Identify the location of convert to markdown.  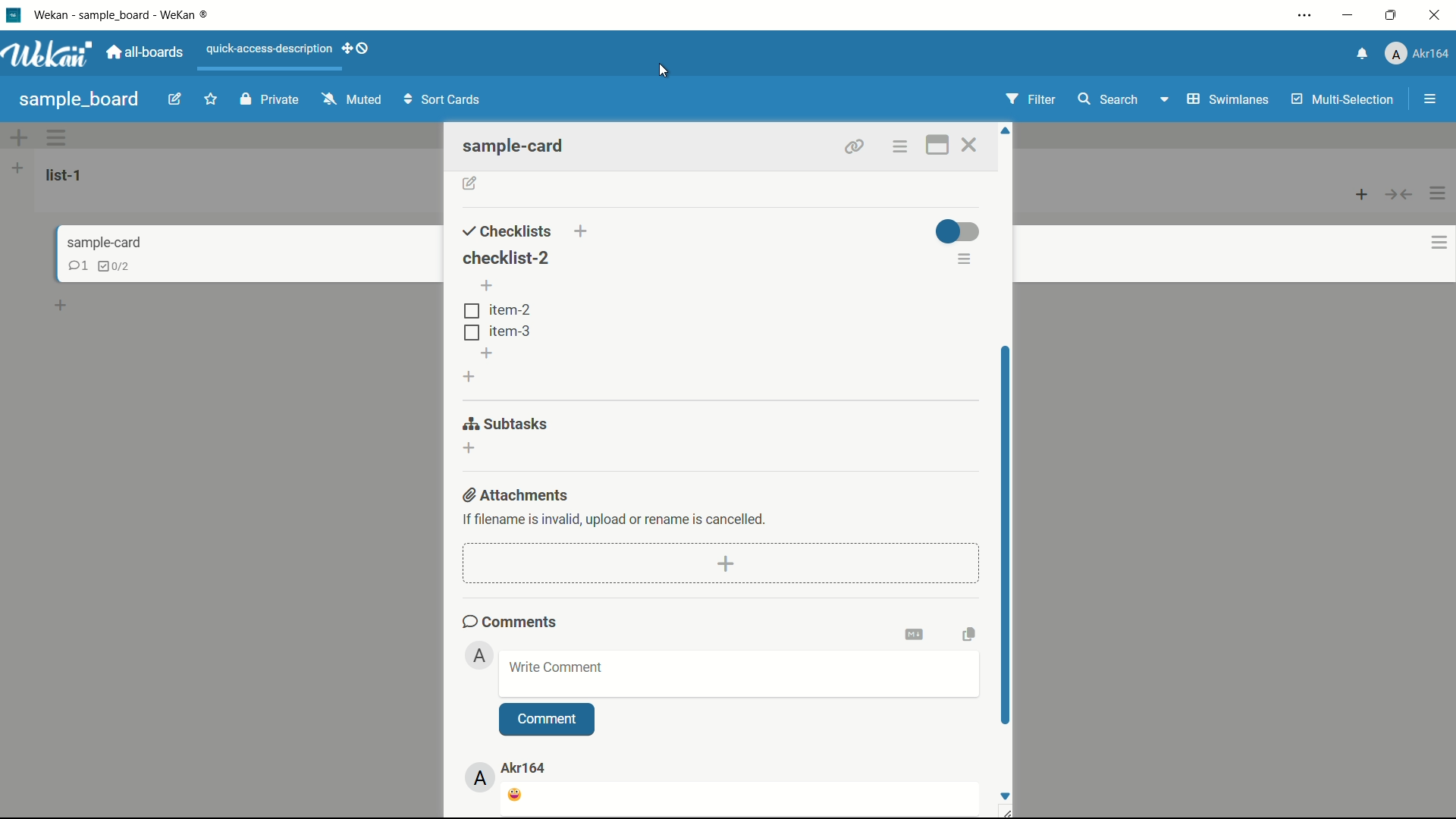
(917, 632).